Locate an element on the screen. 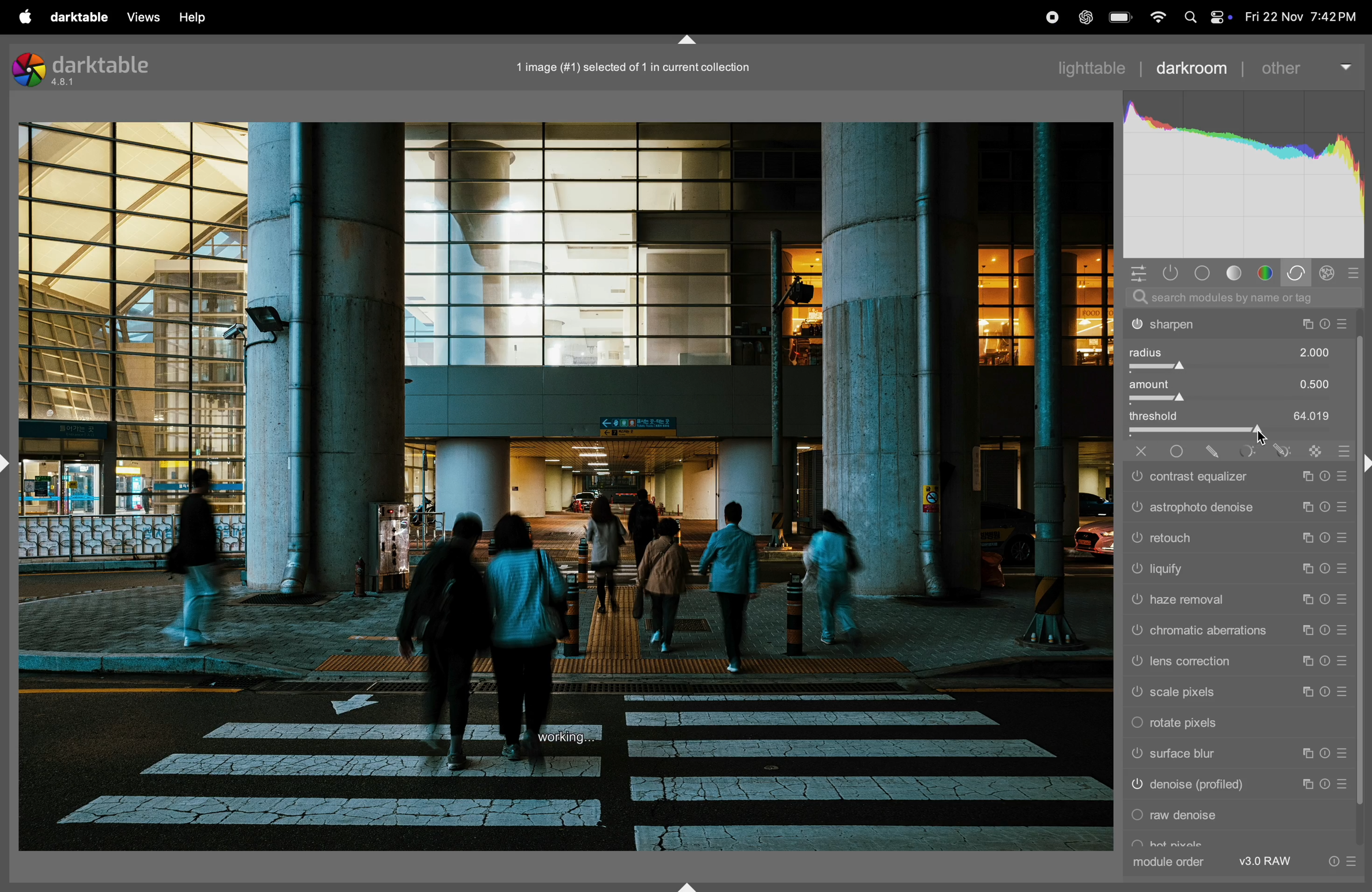  liquify is located at coordinates (1239, 570).